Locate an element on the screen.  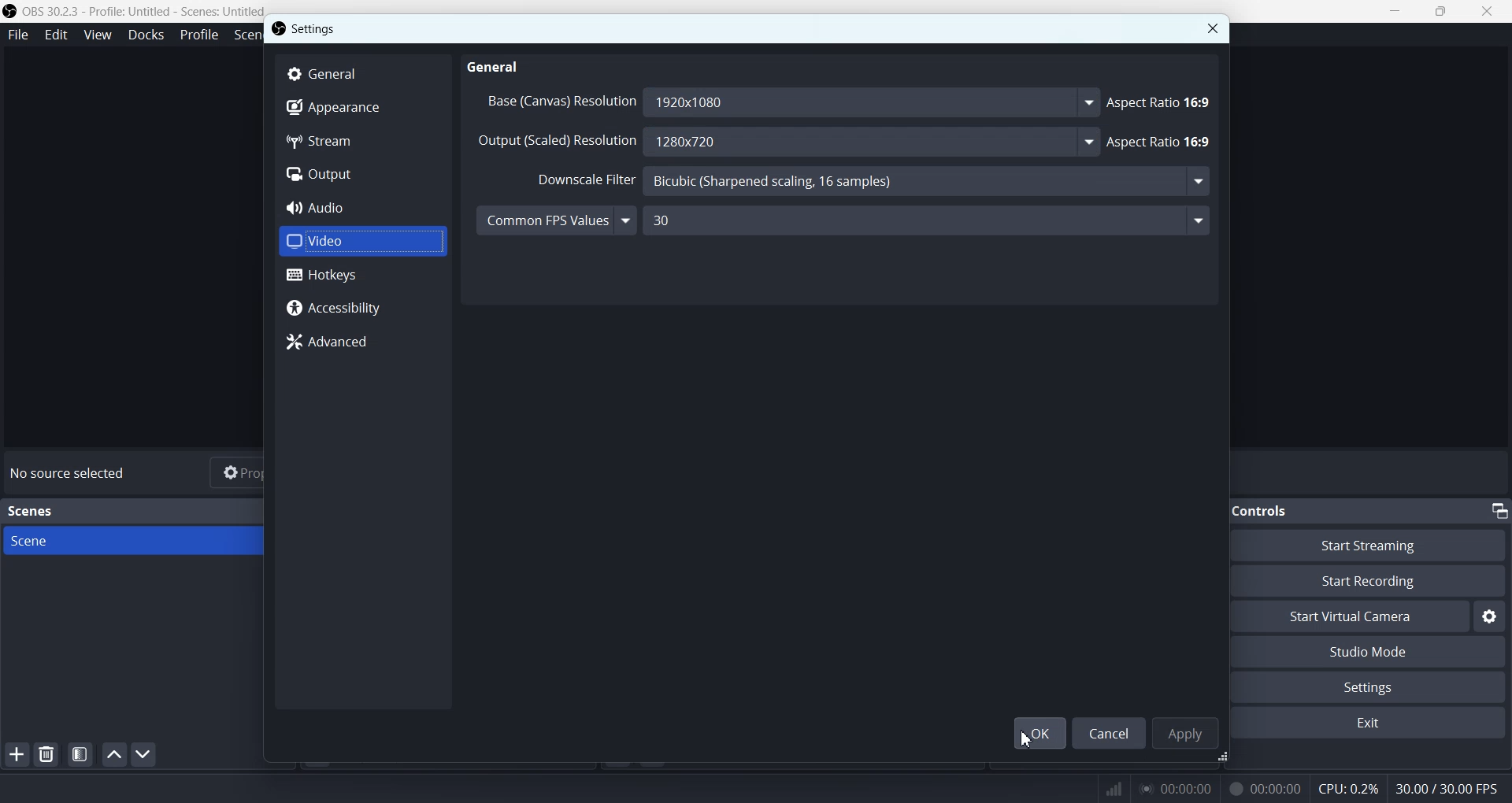
Window adjuster is located at coordinates (1225, 759).